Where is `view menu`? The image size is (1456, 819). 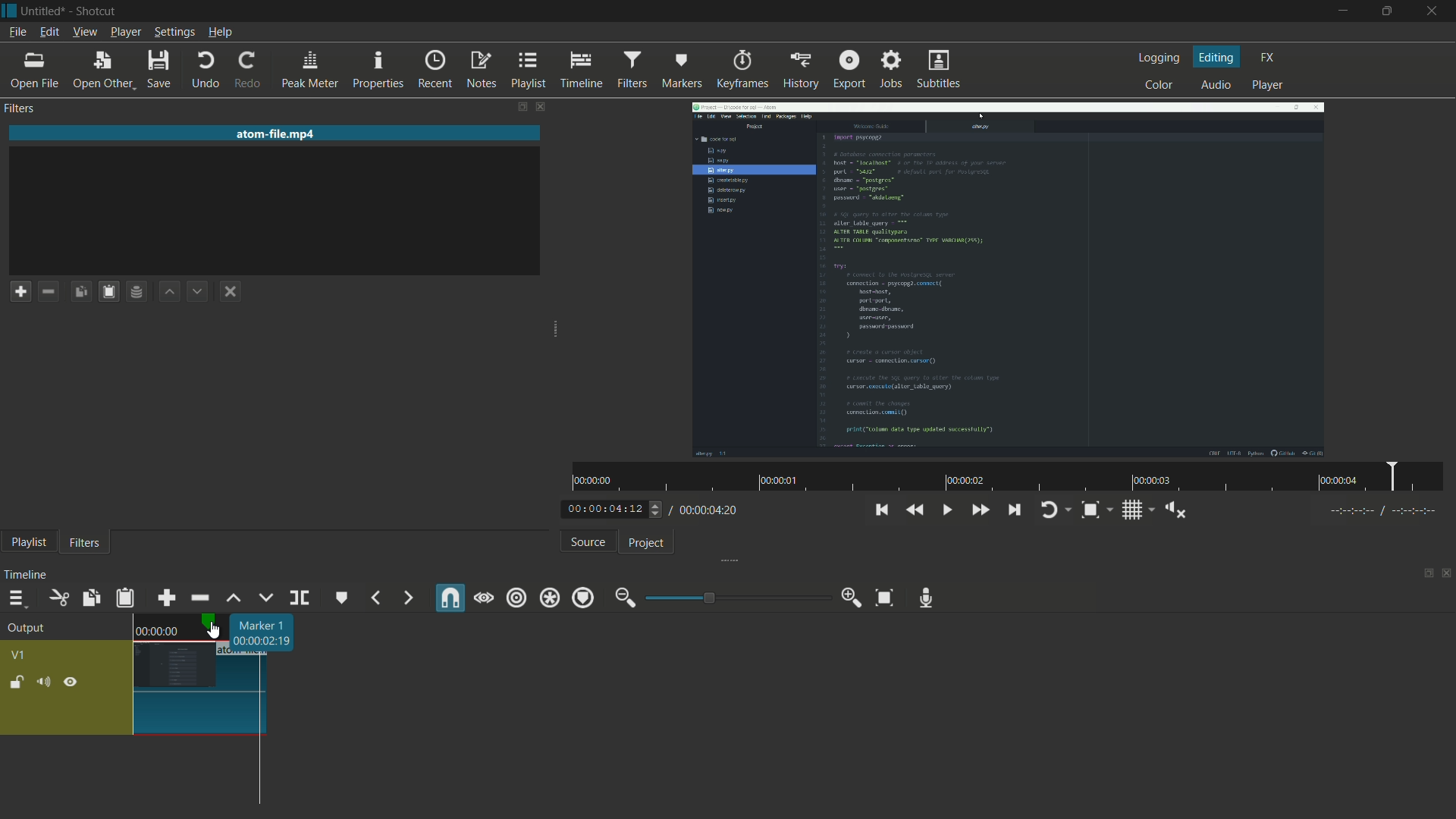 view menu is located at coordinates (84, 33).